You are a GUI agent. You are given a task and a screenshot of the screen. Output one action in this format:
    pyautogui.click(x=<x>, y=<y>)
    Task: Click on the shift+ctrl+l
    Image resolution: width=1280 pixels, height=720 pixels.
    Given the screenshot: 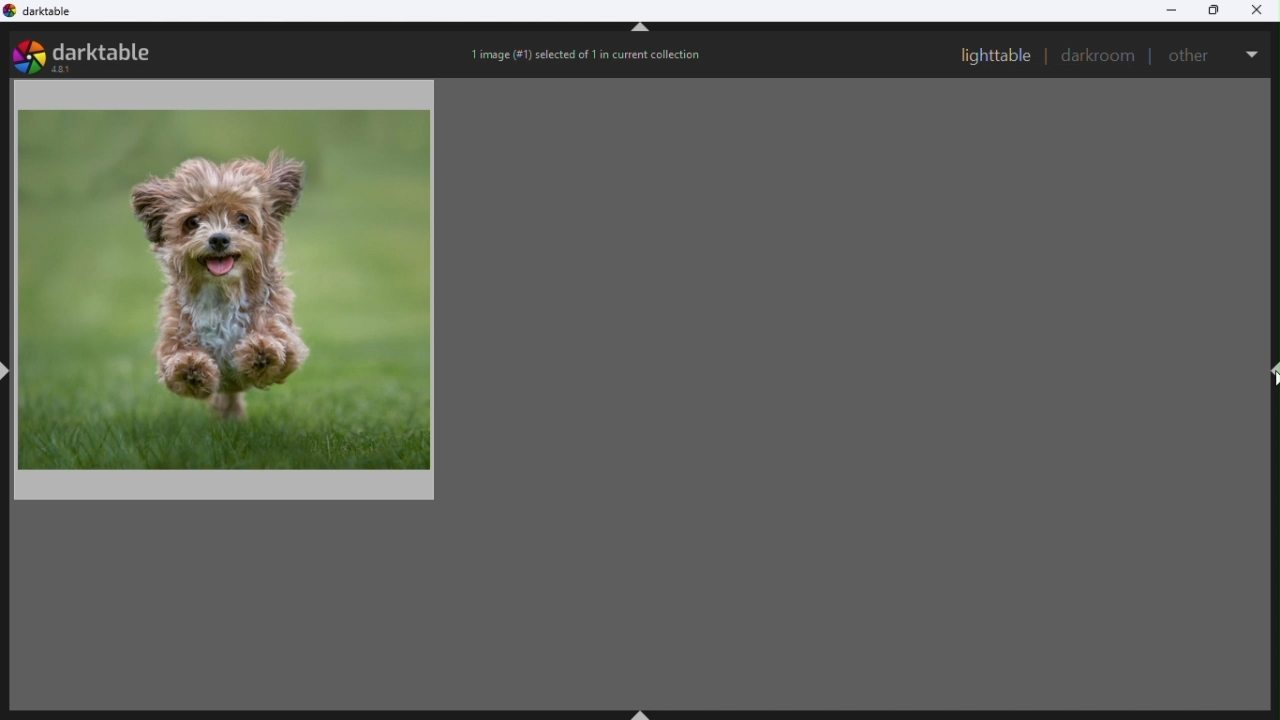 What is the action you would take?
    pyautogui.click(x=8, y=369)
    